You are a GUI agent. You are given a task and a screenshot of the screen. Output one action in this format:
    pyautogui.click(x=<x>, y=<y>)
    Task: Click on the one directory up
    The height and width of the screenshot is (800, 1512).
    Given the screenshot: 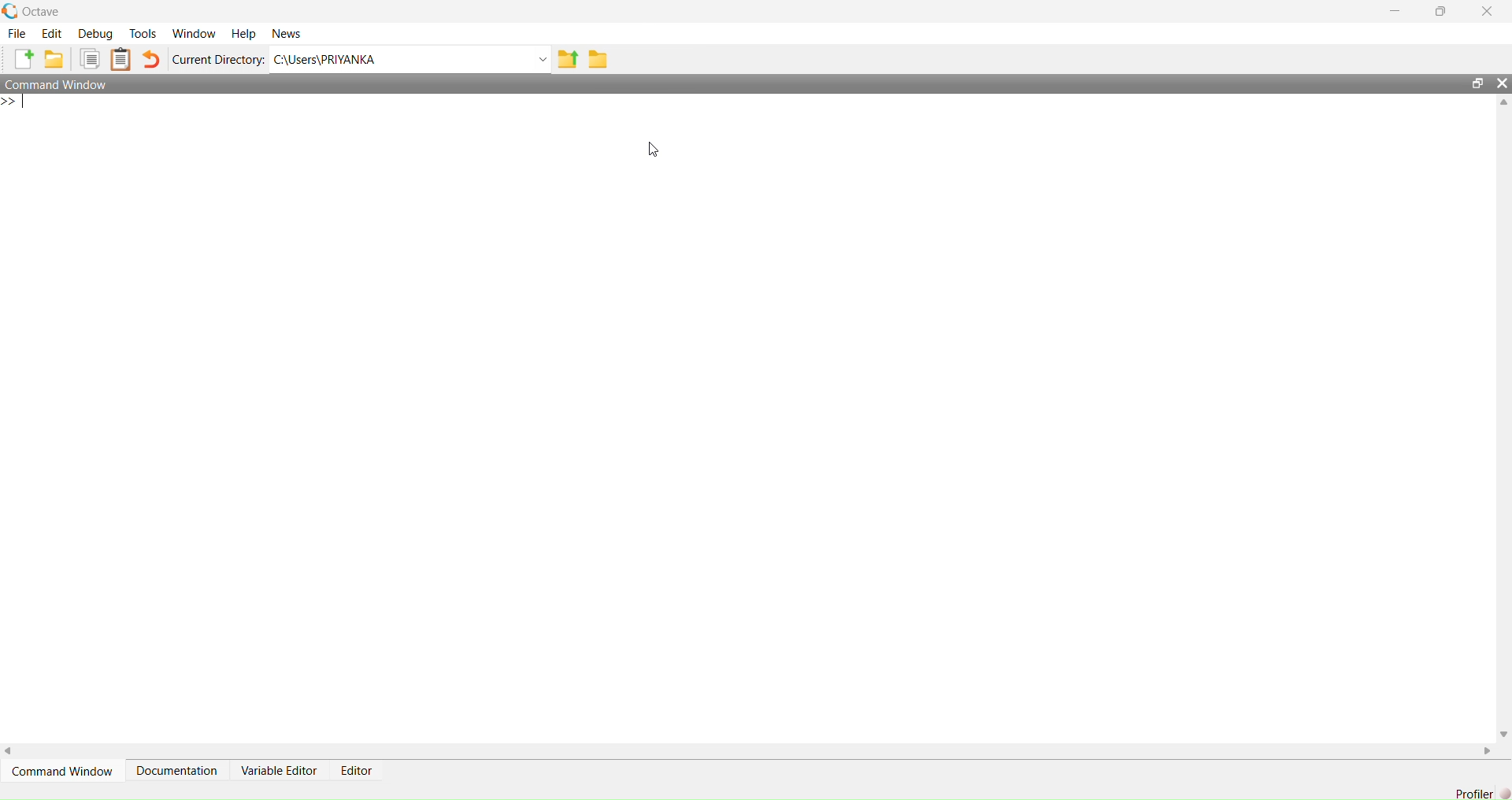 What is the action you would take?
    pyautogui.click(x=568, y=58)
    